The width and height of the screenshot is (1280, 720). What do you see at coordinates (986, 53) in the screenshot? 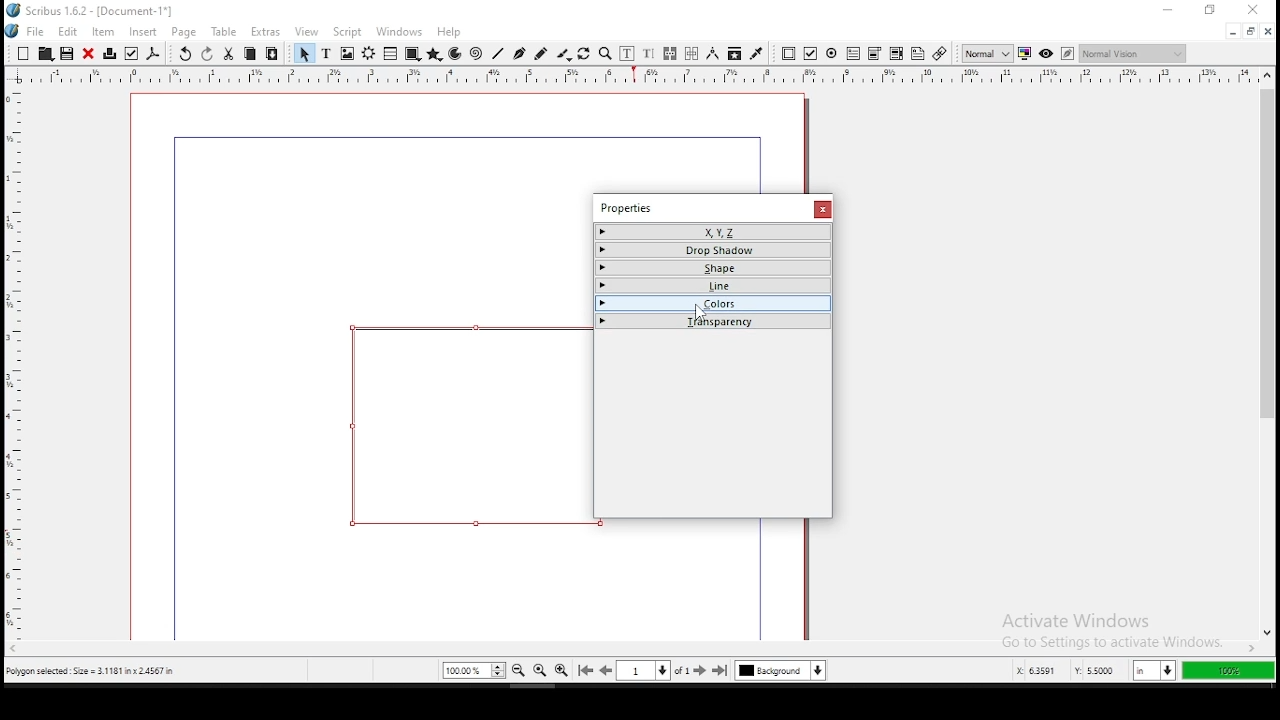
I see `toggle image preview quality` at bounding box center [986, 53].